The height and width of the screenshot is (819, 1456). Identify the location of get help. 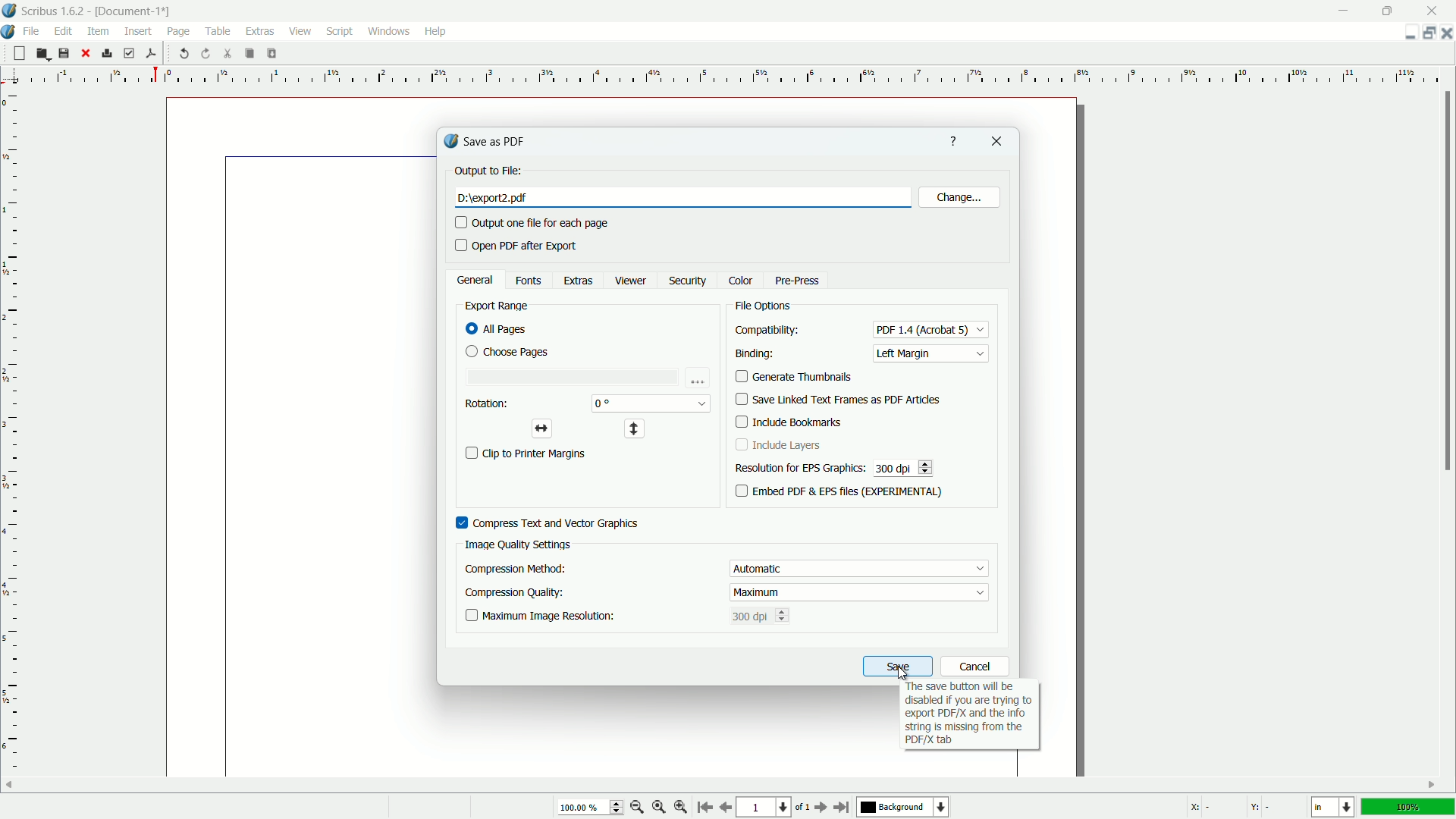
(955, 141).